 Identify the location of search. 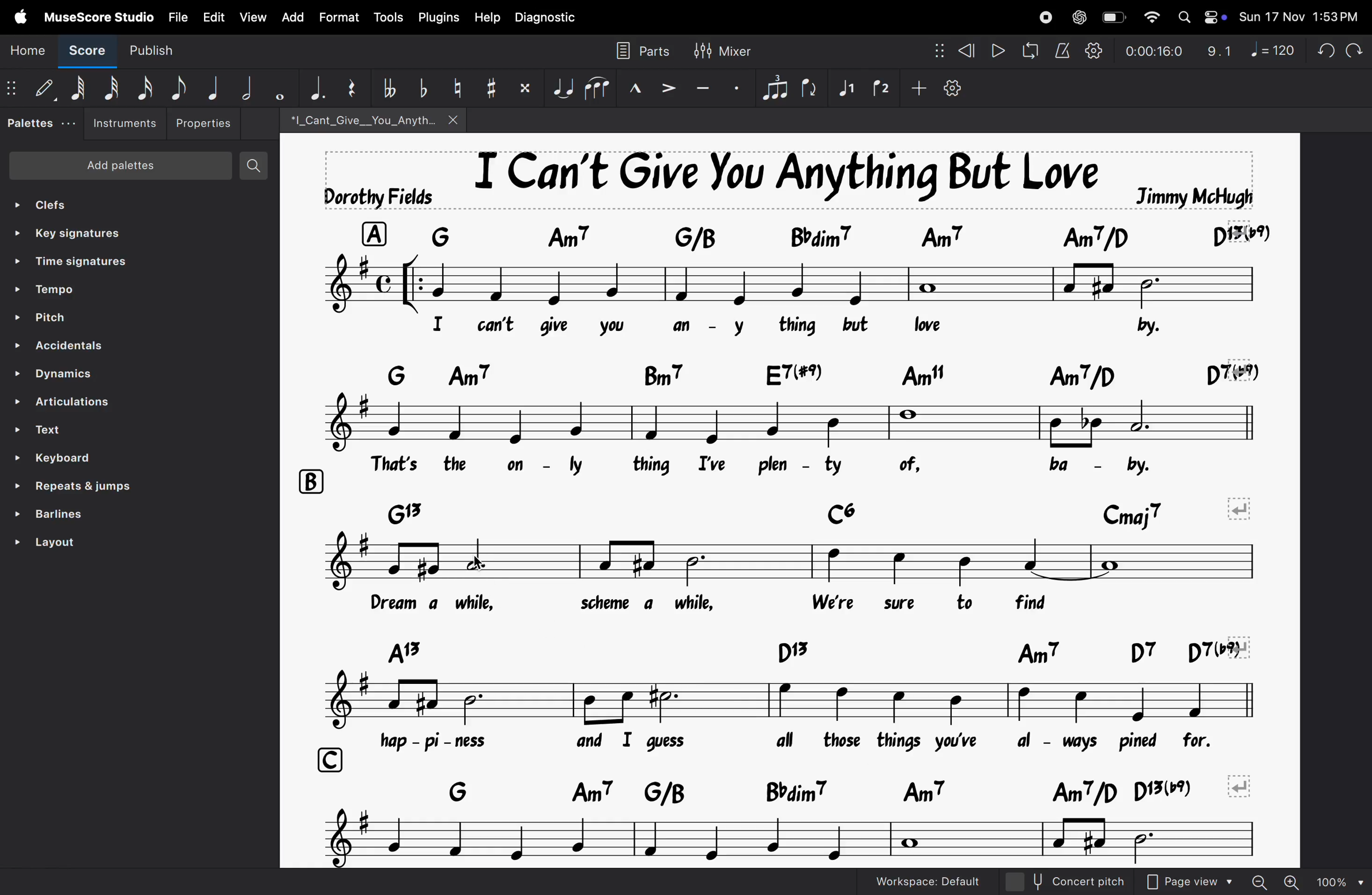
(255, 164).